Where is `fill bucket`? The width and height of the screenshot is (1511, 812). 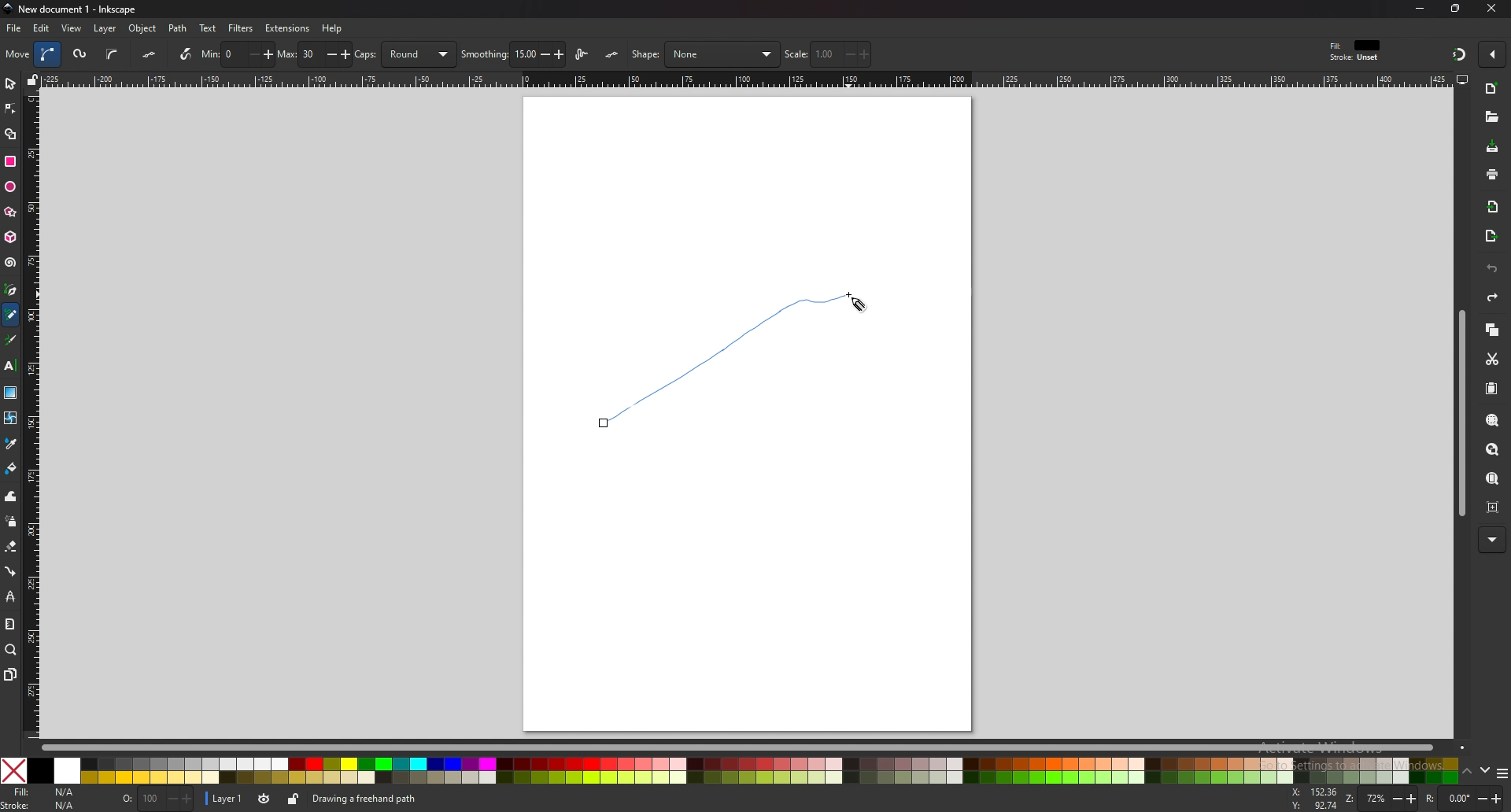
fill bucket is located at coordinates (10, 468).